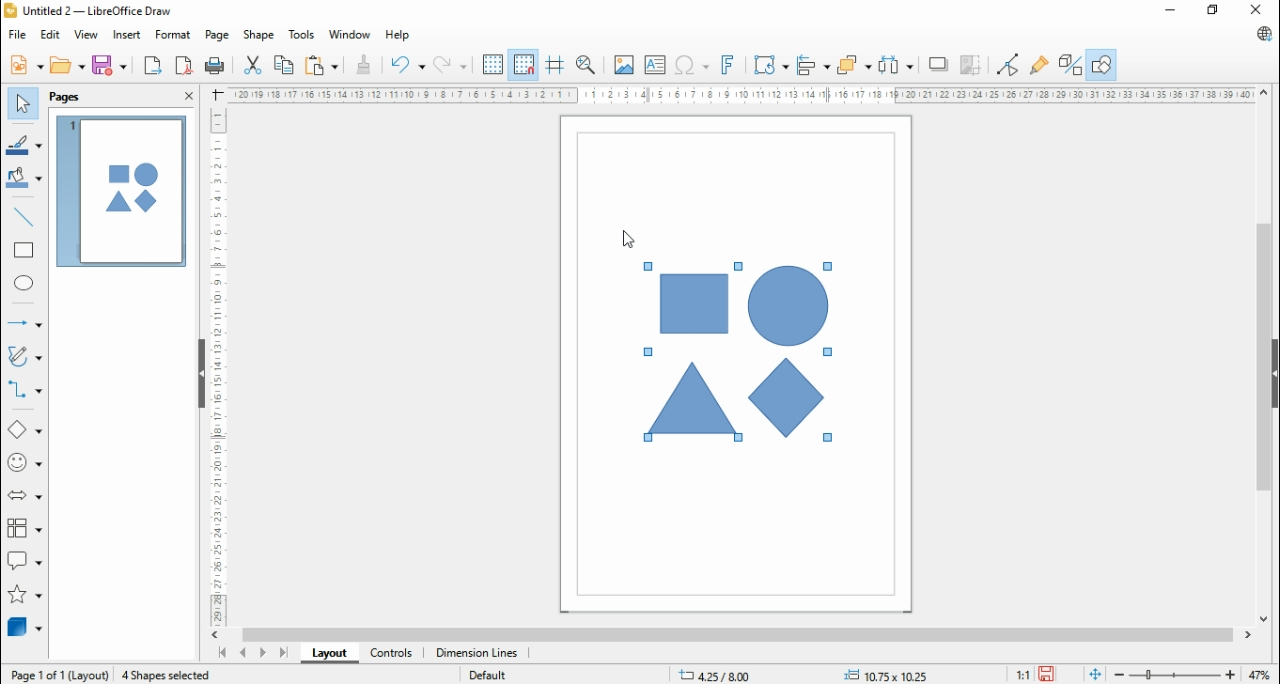 The image size is (1280, 684). I want to click on shape 2, so click(692, 399).